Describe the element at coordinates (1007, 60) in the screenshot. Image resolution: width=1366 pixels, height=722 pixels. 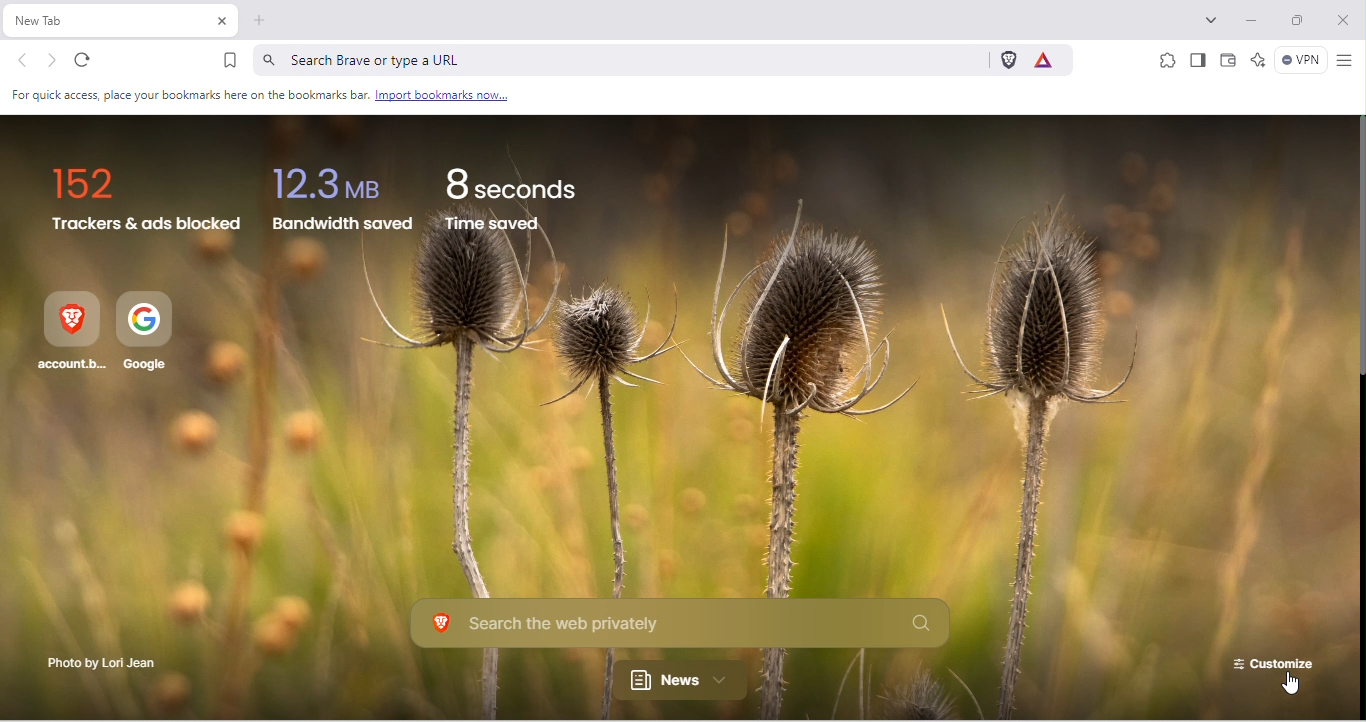
I see `Brave shields` at that location.